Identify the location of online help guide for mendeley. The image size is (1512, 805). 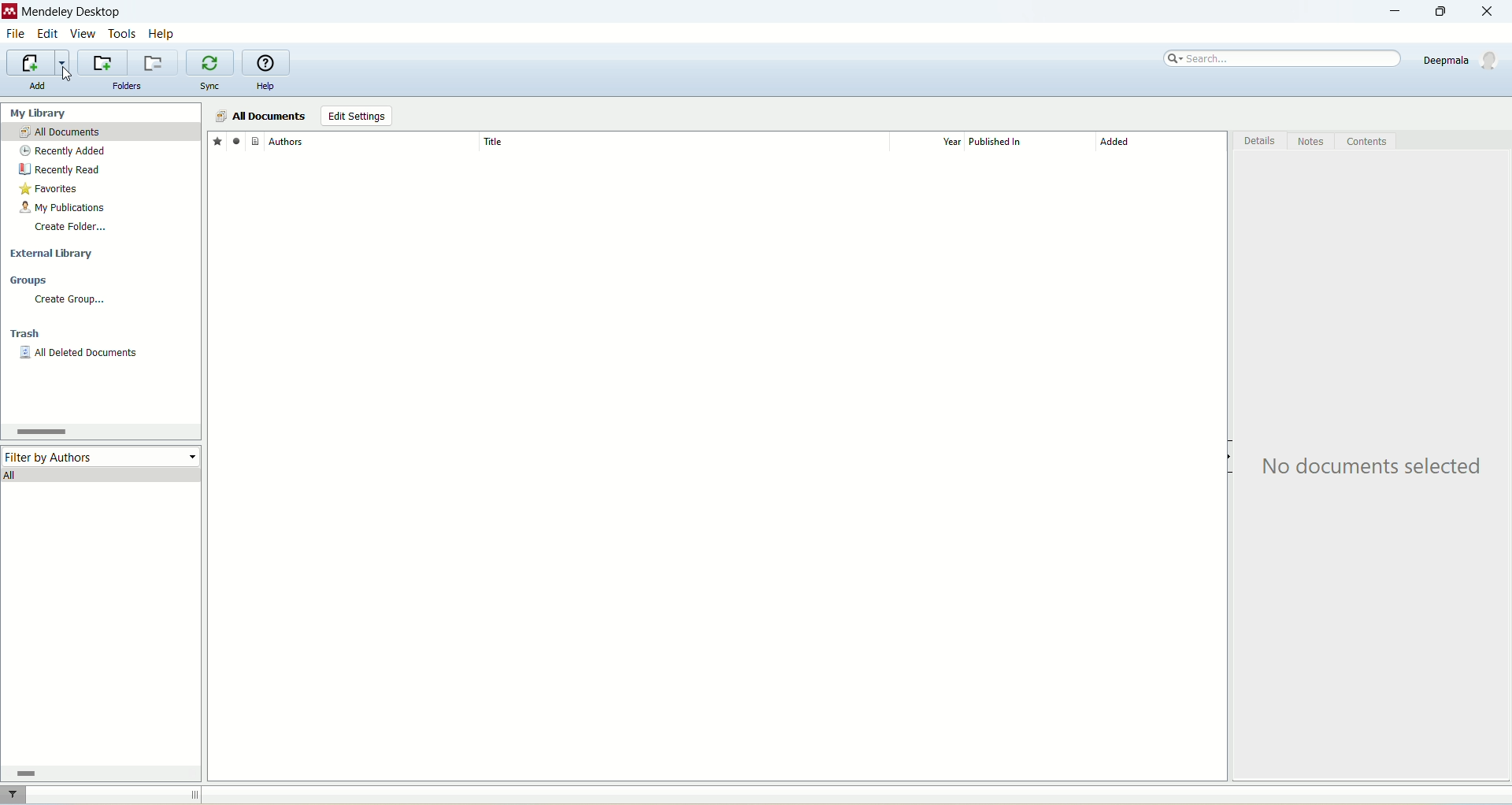
(267, 63).